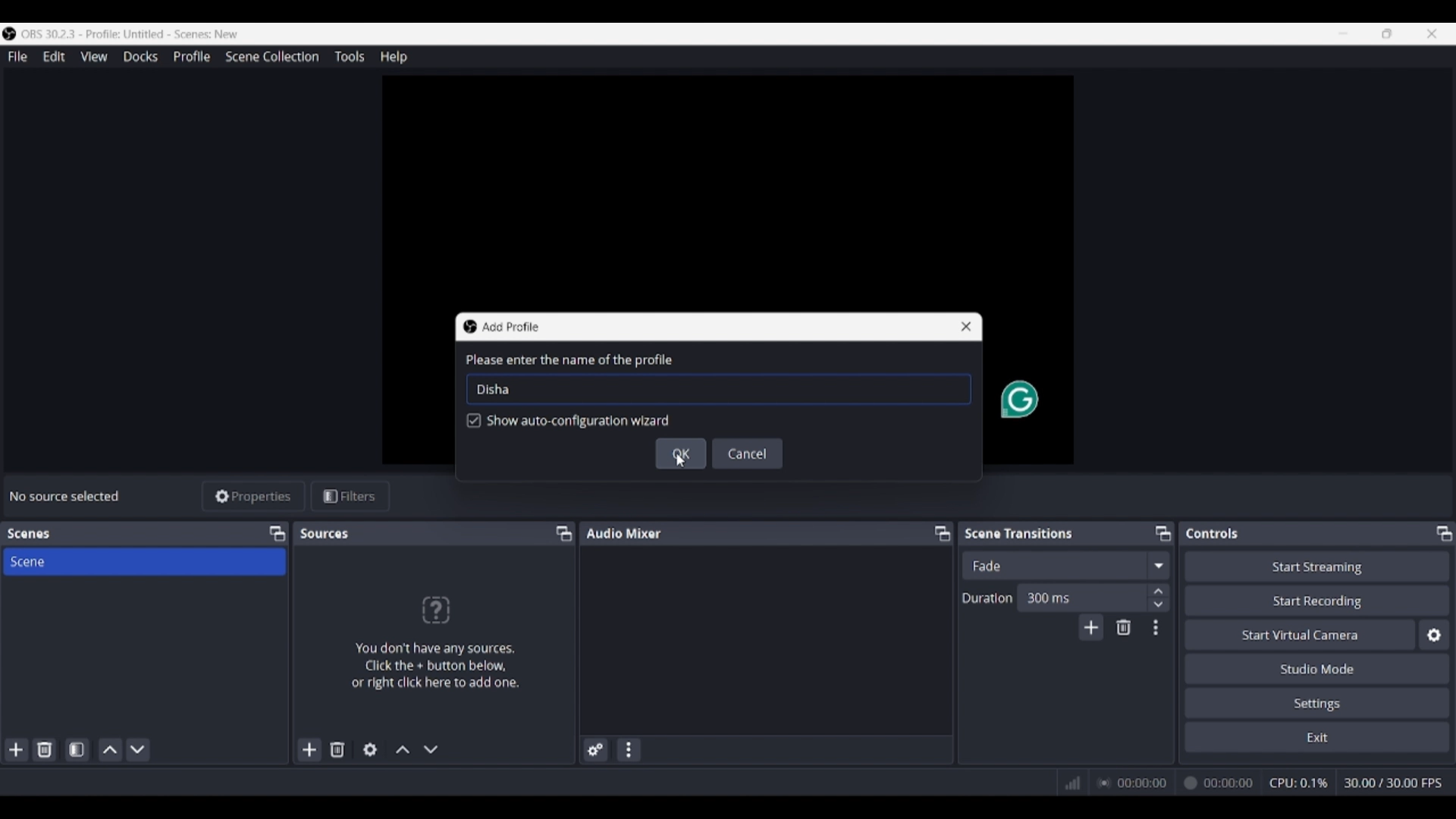 Image resolution: width=1456 pixels, height=819 pixels. Describe the element at coordinates (111, 750) in the screenshot. I see `Move scene up` at that location.